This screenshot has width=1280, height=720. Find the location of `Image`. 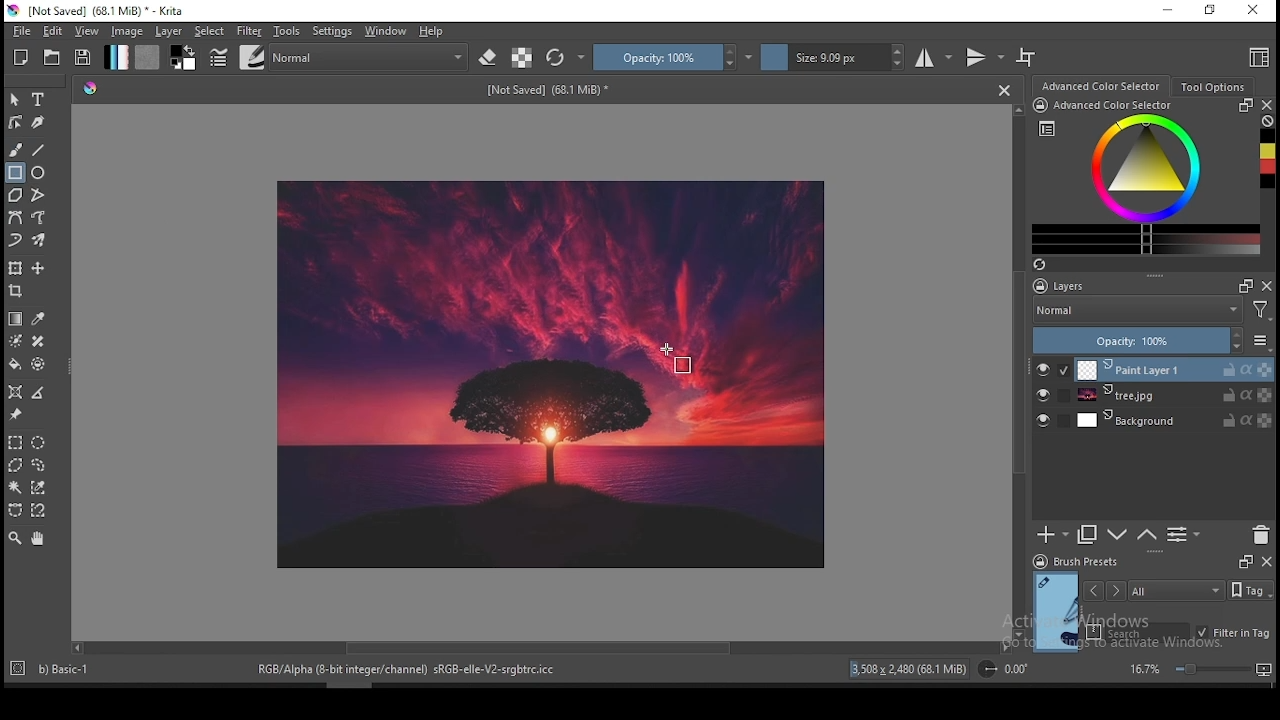

Image is located at coordinates (554, 374).